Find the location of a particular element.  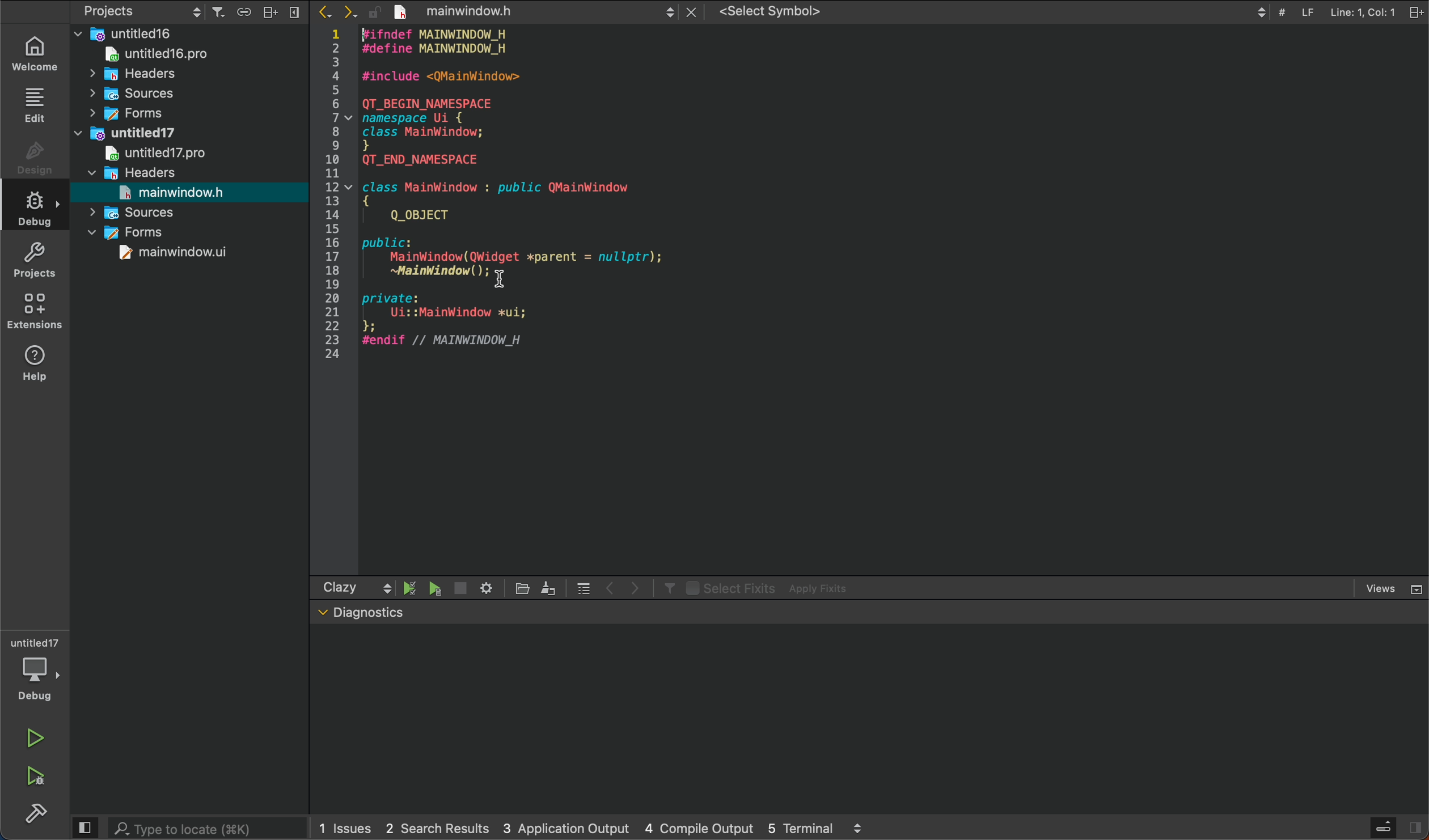

build is located at coordinates (36, 816).